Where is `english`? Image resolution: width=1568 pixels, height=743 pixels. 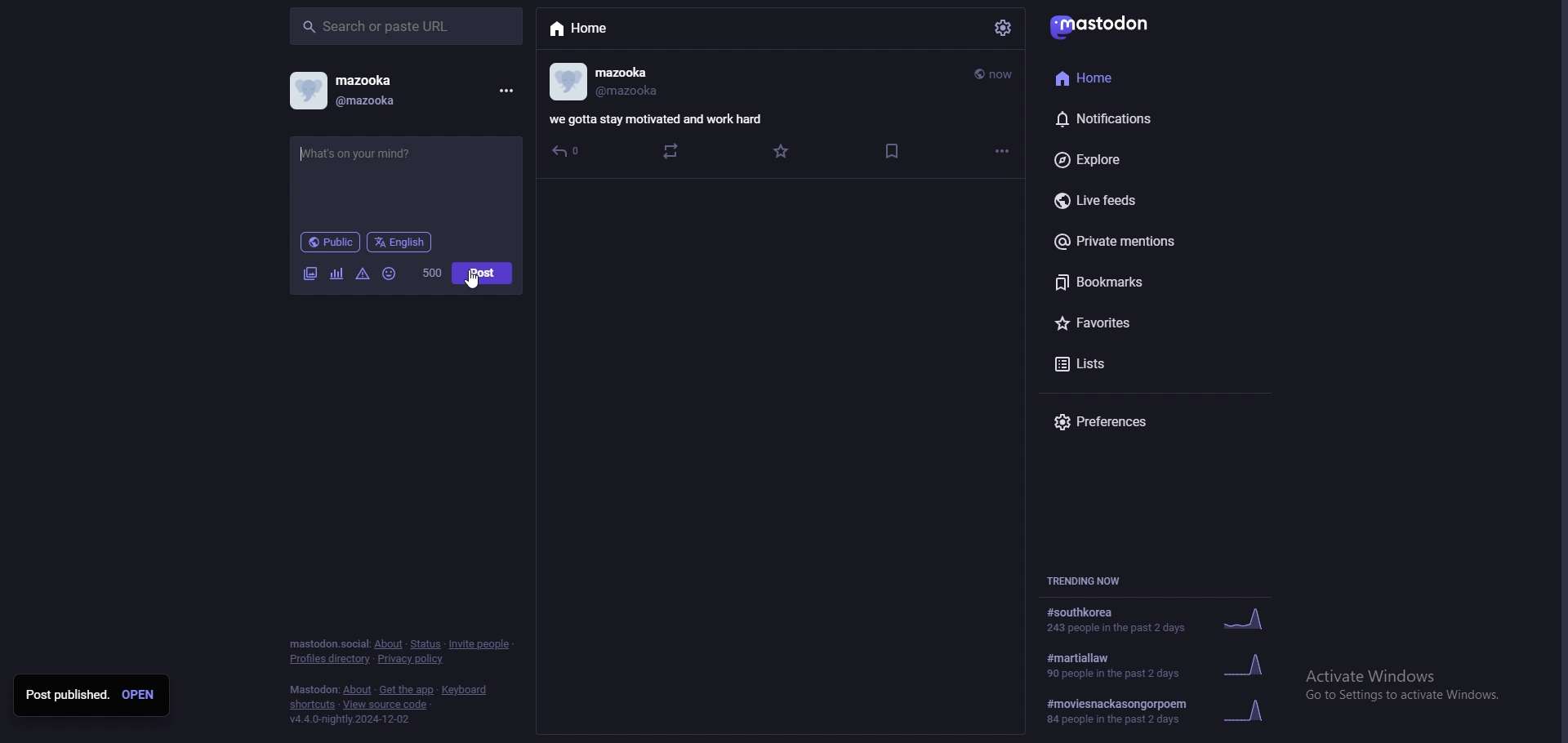 english is located at coordinates (400, 242).